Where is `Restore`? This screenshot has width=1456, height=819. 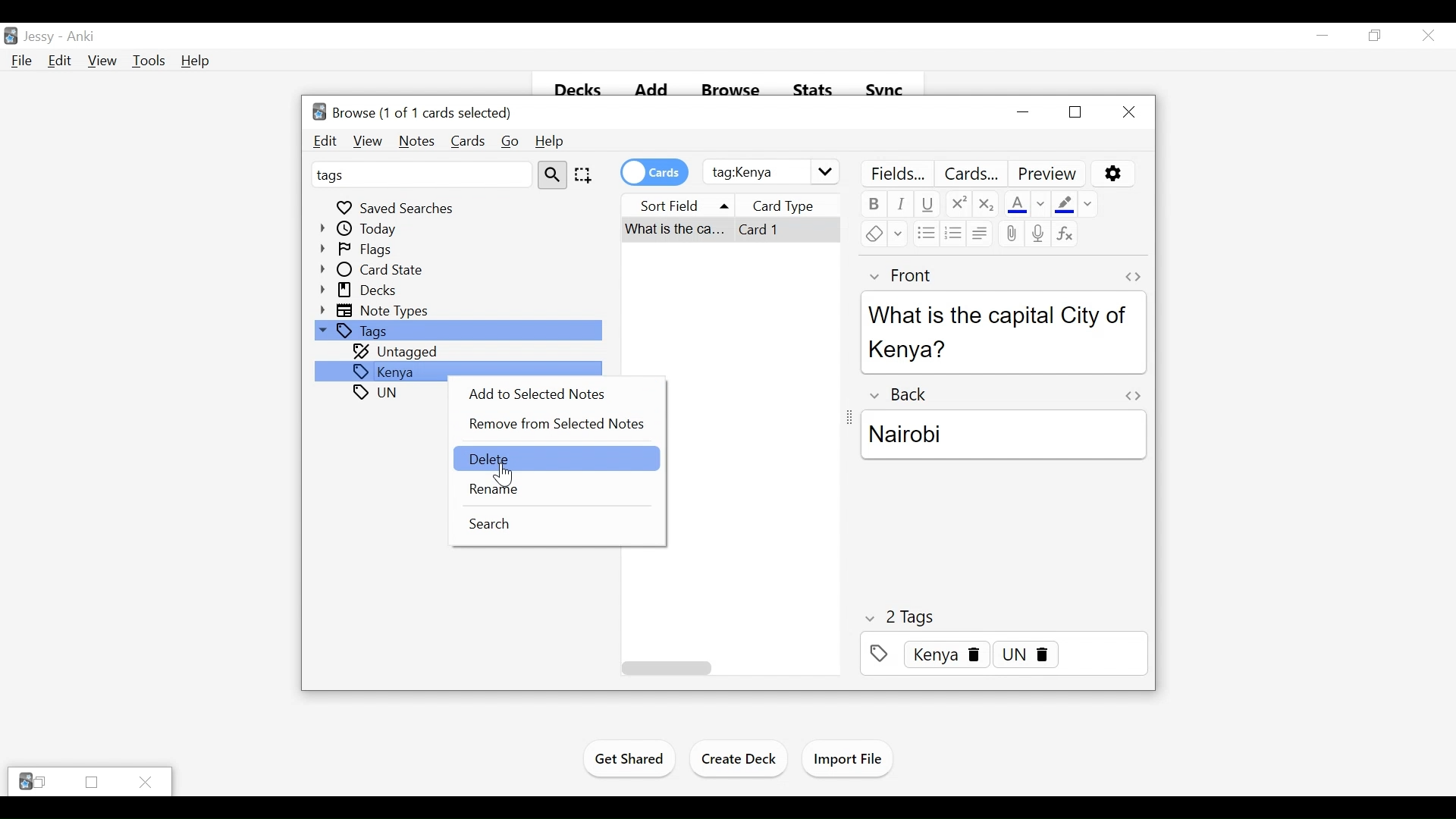
Restore is located at coordinates (90, 783).